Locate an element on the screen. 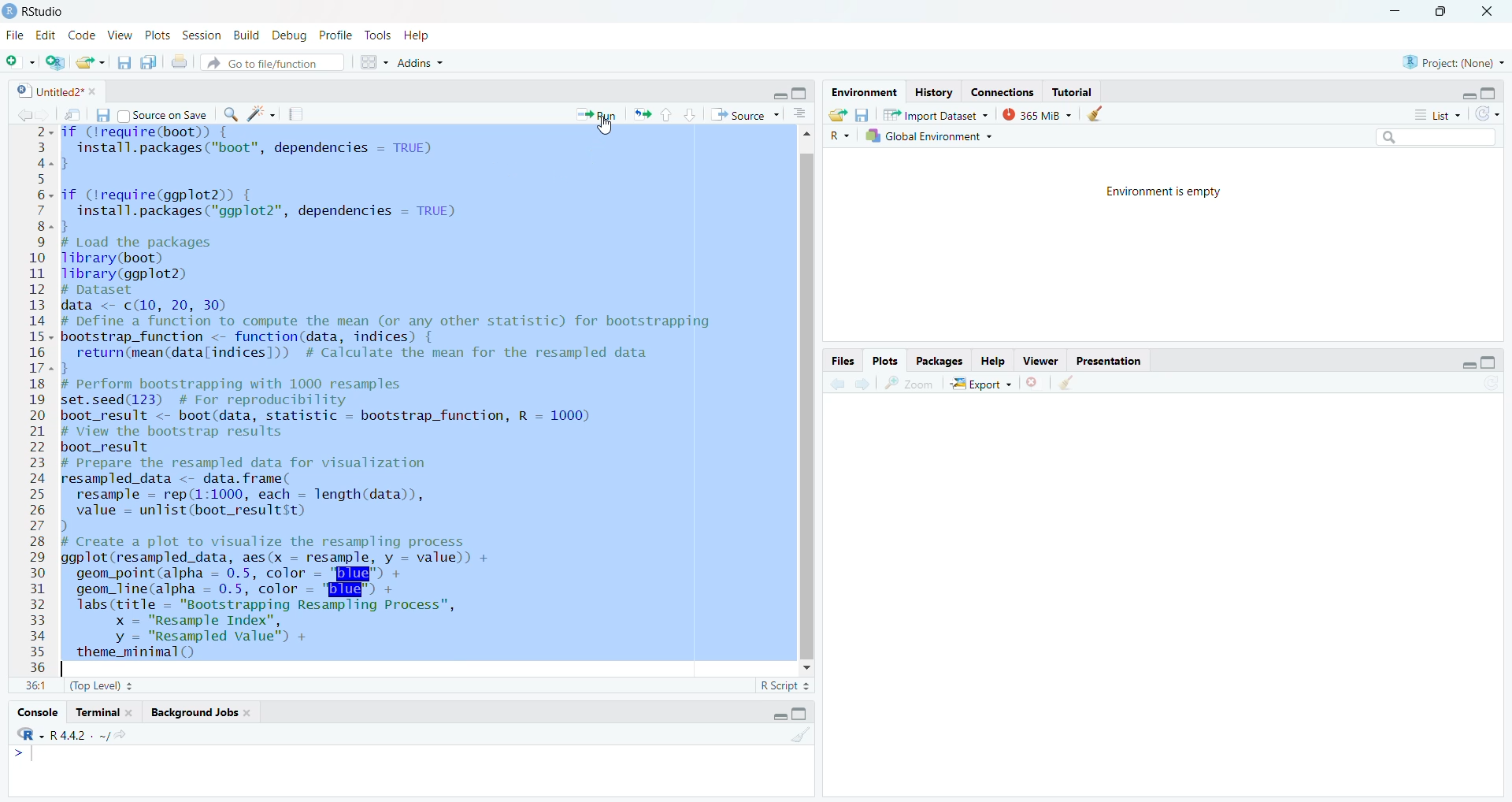 The image size is (1512, 802). ®) Project: (None) ~ is located at coordinates (1453, 61).